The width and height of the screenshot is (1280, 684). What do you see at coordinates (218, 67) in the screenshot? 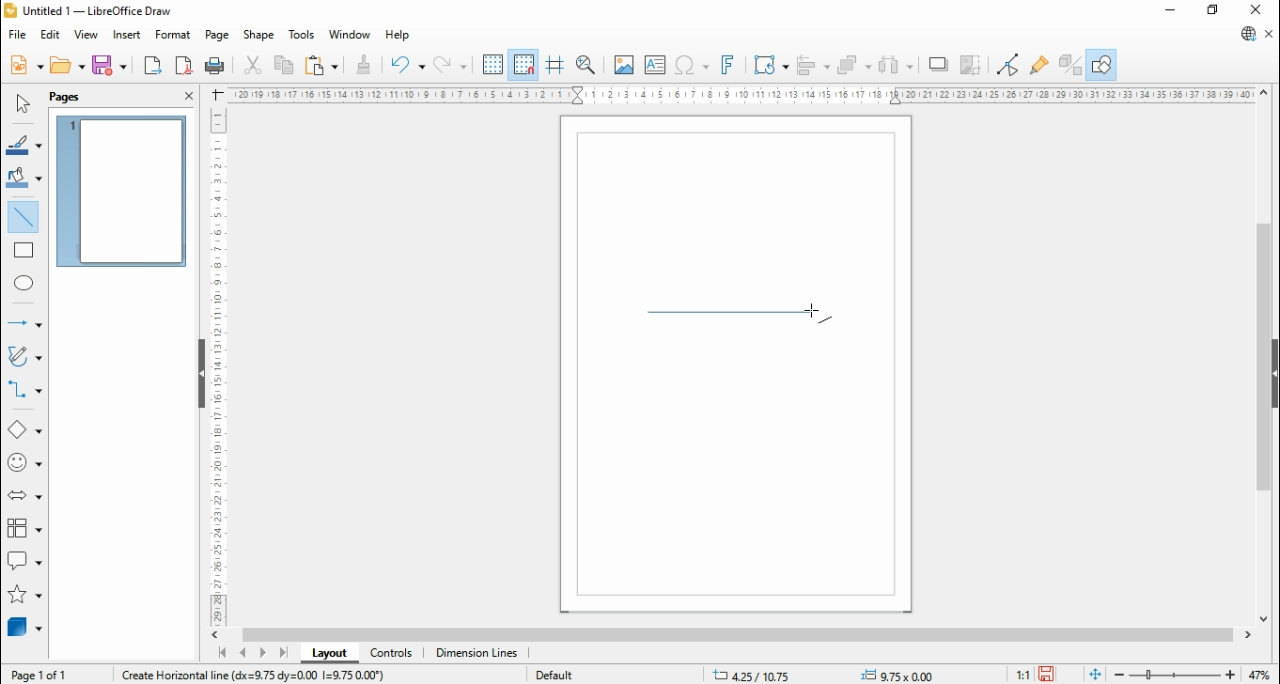
I see `print` at bounding box center [218, 67].